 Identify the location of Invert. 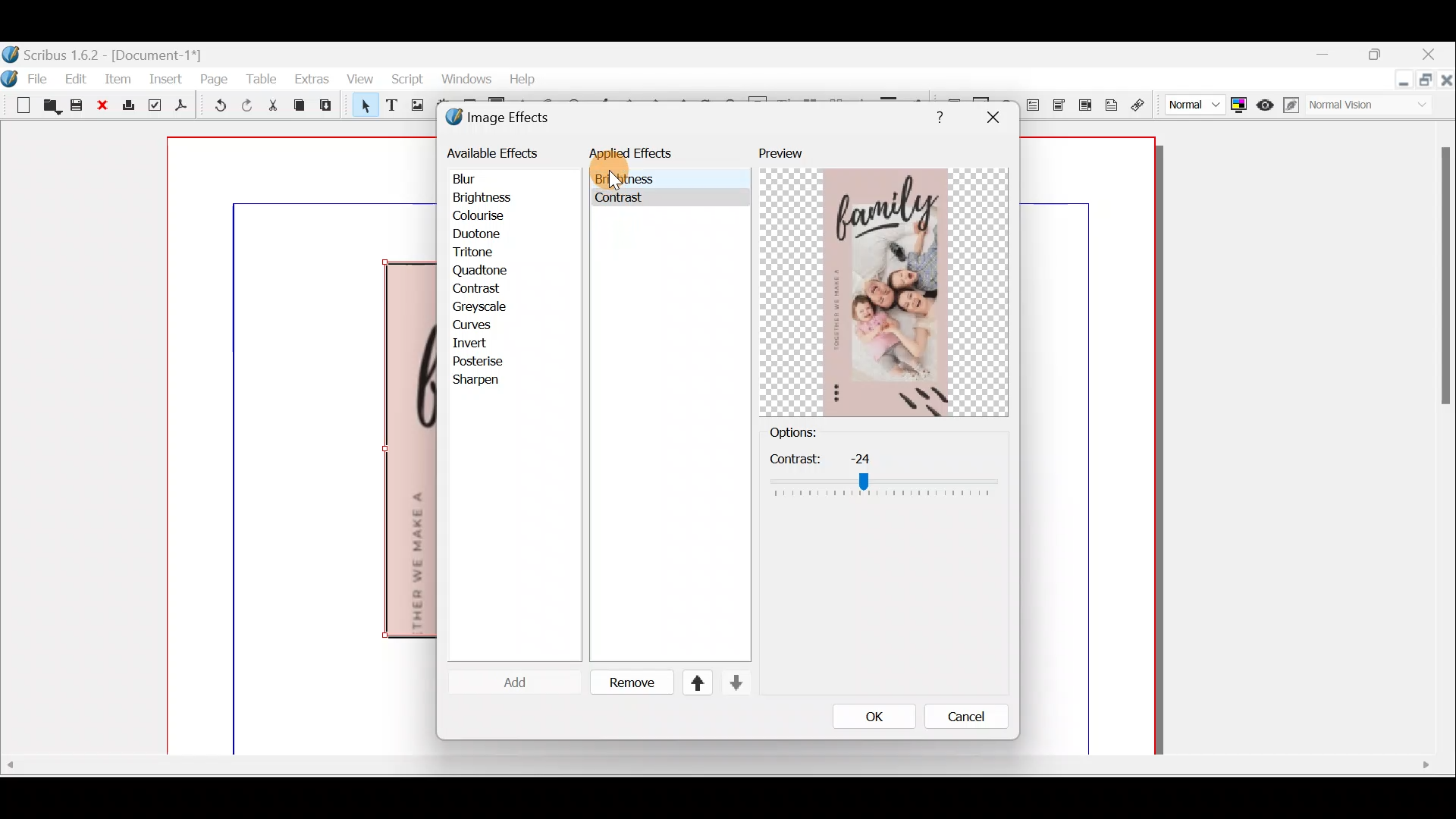
(484, 344).